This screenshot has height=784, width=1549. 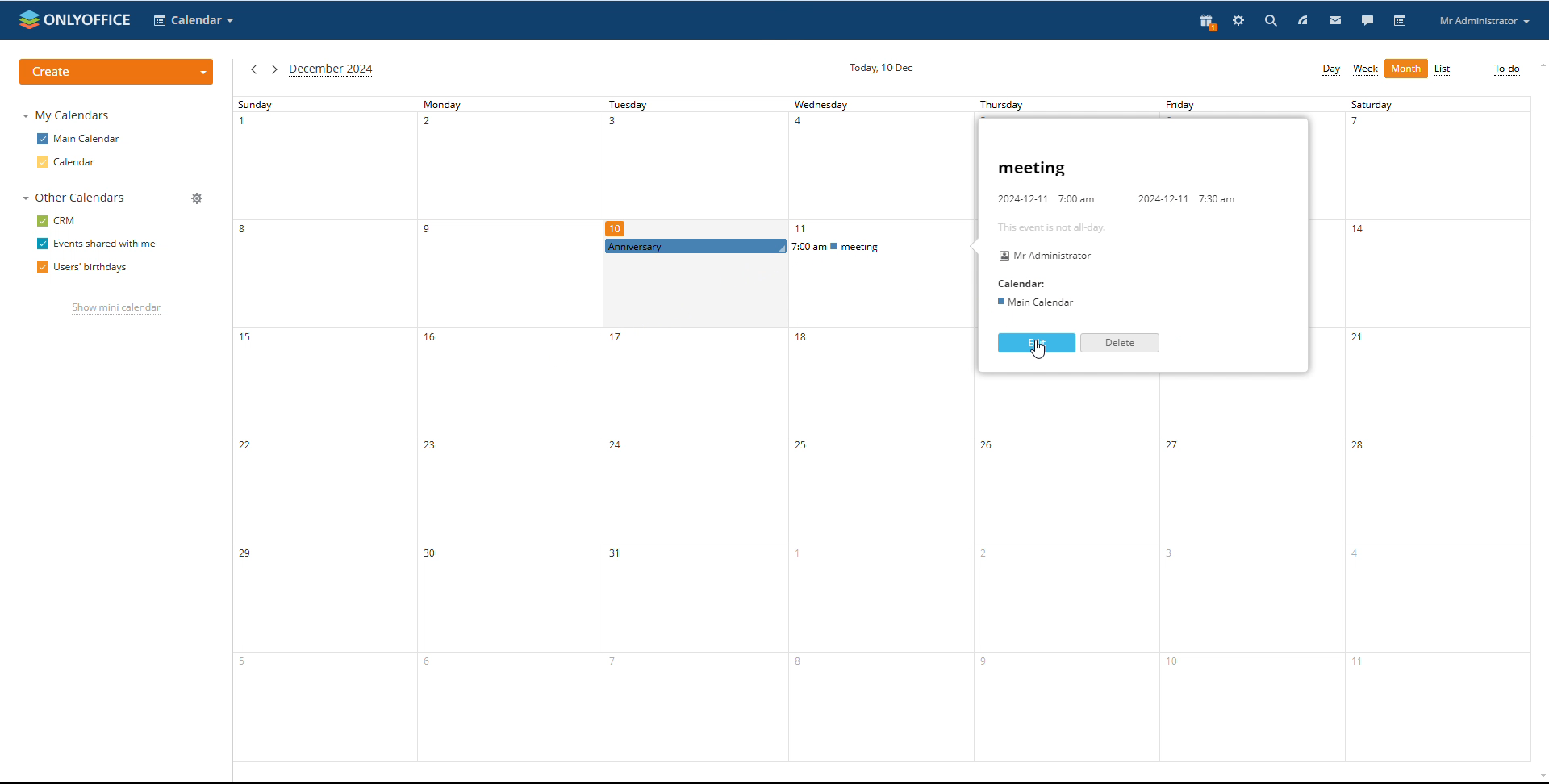 What do you see at coordinates (1443, 69) in the screenshot?
I see `list view` at bounding box center [1443, 69].